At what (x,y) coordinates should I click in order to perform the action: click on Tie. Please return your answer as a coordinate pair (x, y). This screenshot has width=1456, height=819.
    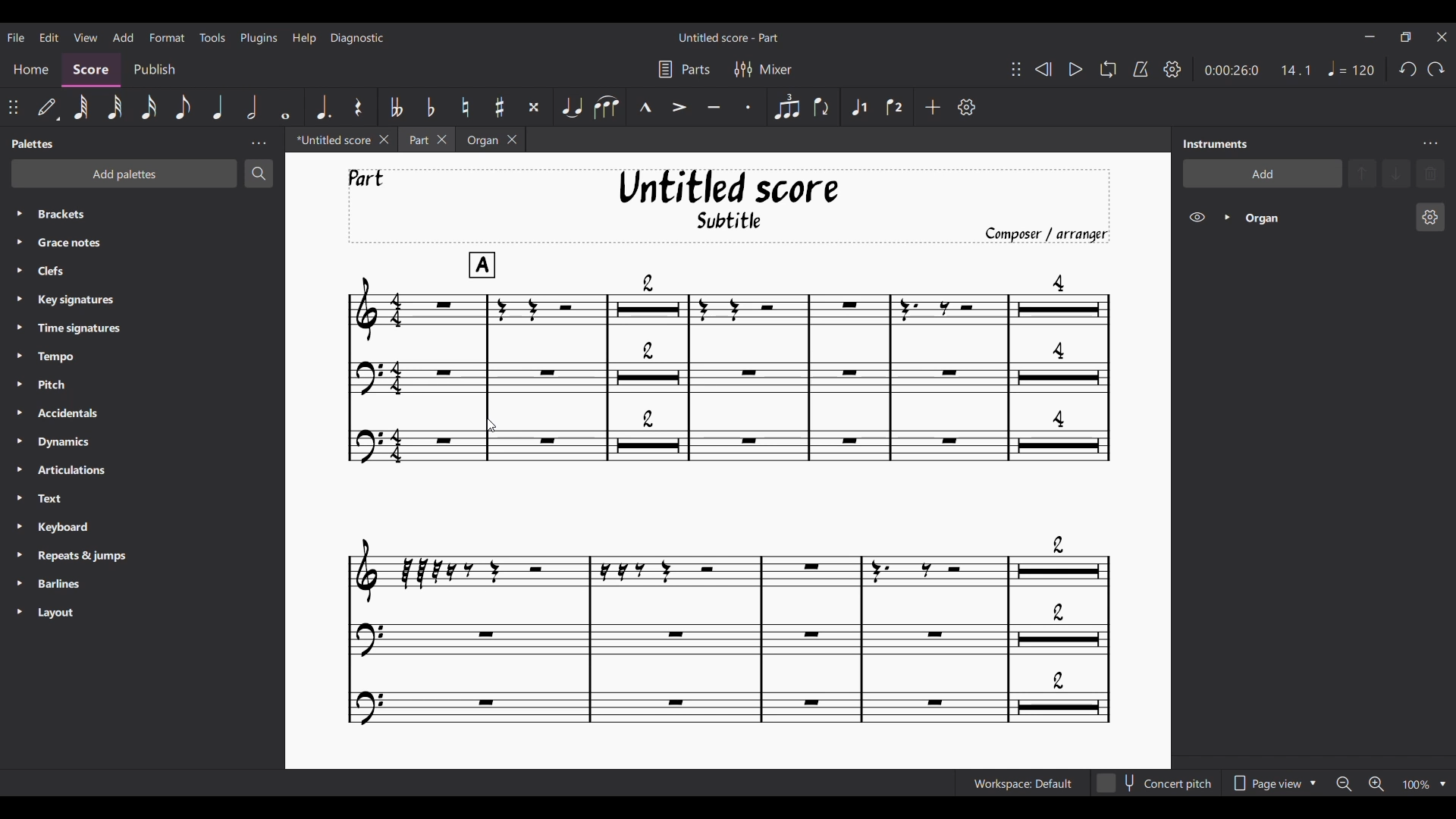
    Looking at the image, I should click on (573, 107).